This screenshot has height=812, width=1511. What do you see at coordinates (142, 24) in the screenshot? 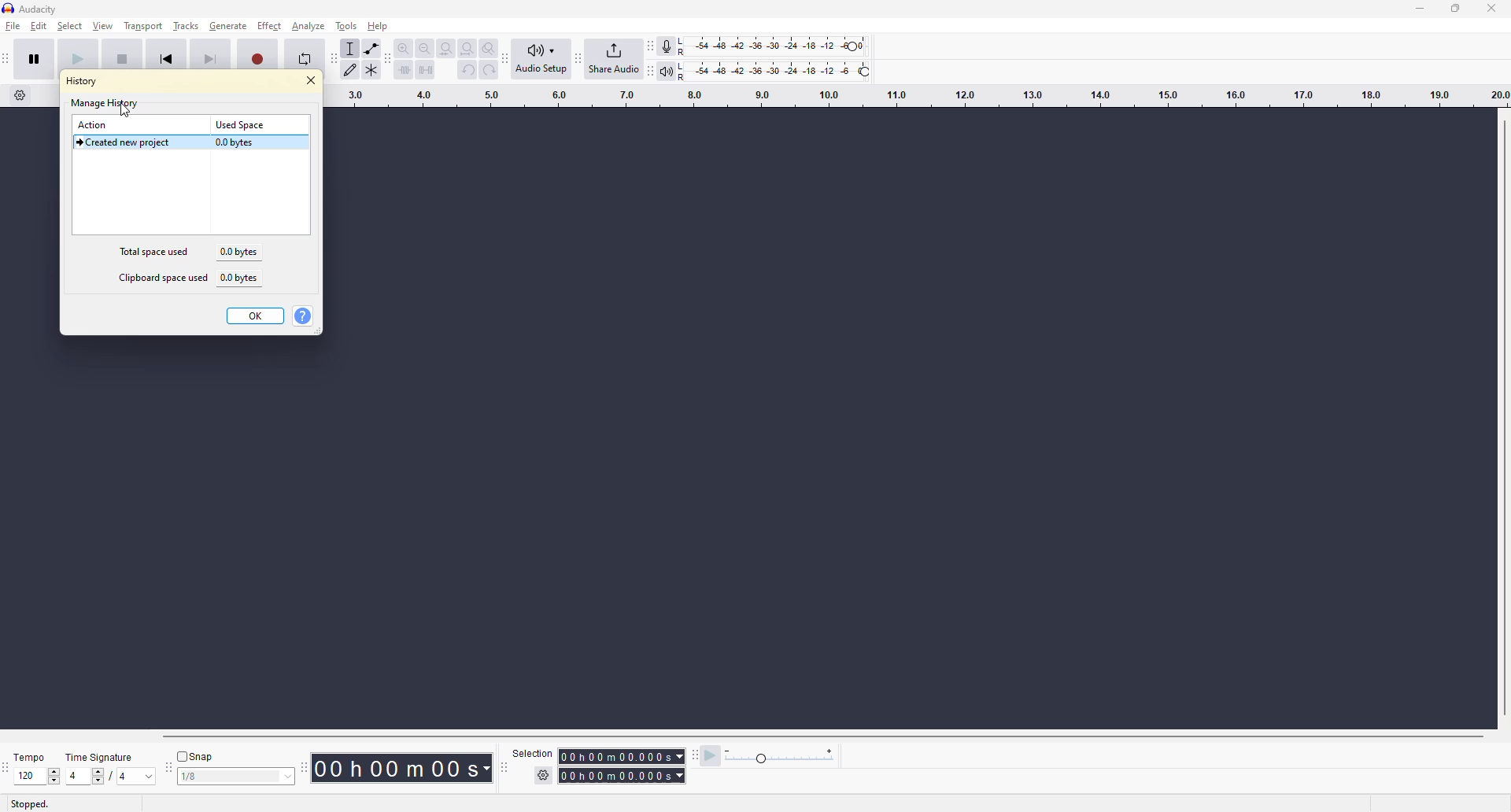
I see `transport` at bounding box center [142, 24].